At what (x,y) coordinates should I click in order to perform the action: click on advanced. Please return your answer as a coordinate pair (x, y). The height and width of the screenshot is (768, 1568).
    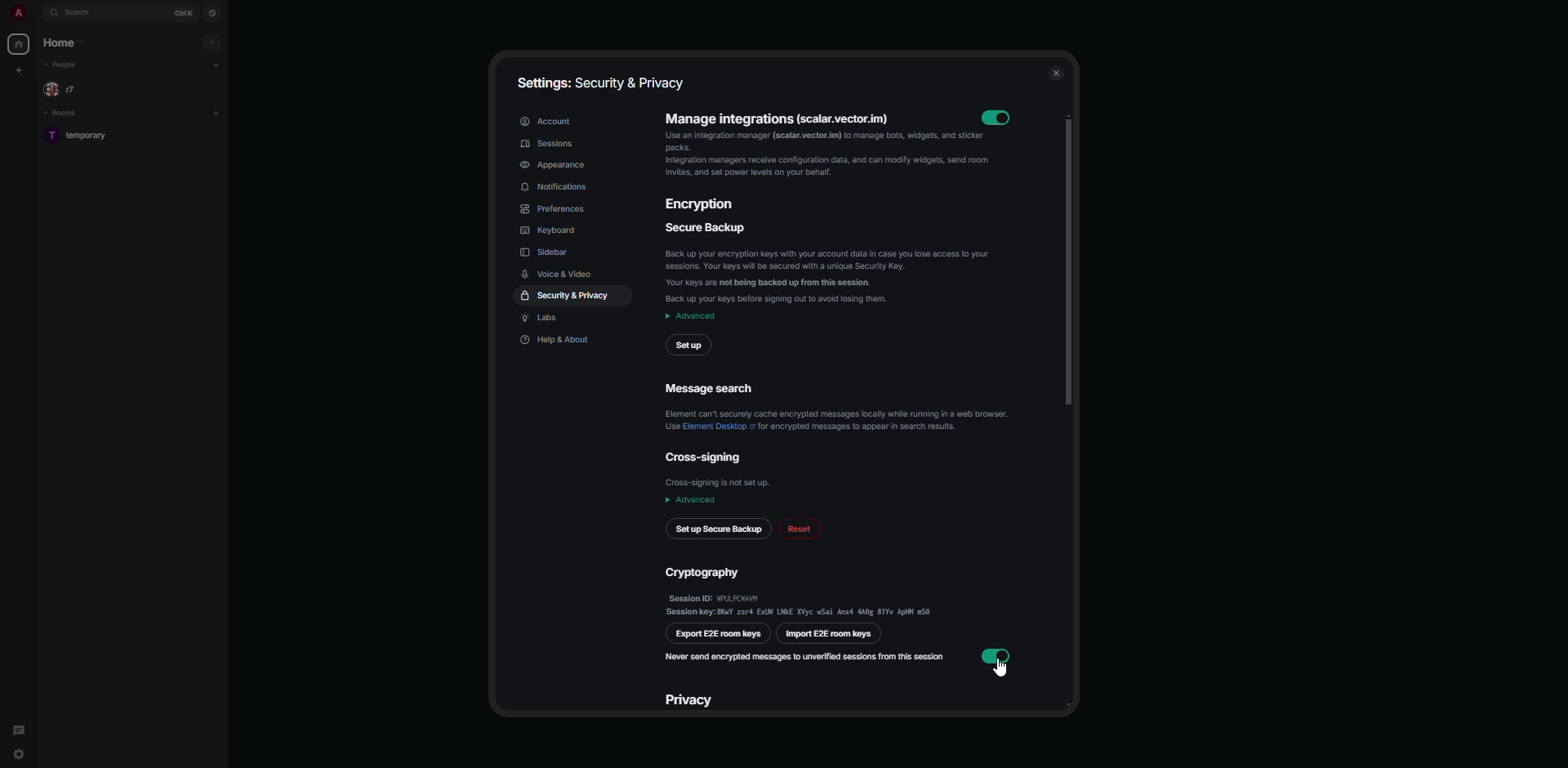
    Looking at the image, I should click on (694, 500).